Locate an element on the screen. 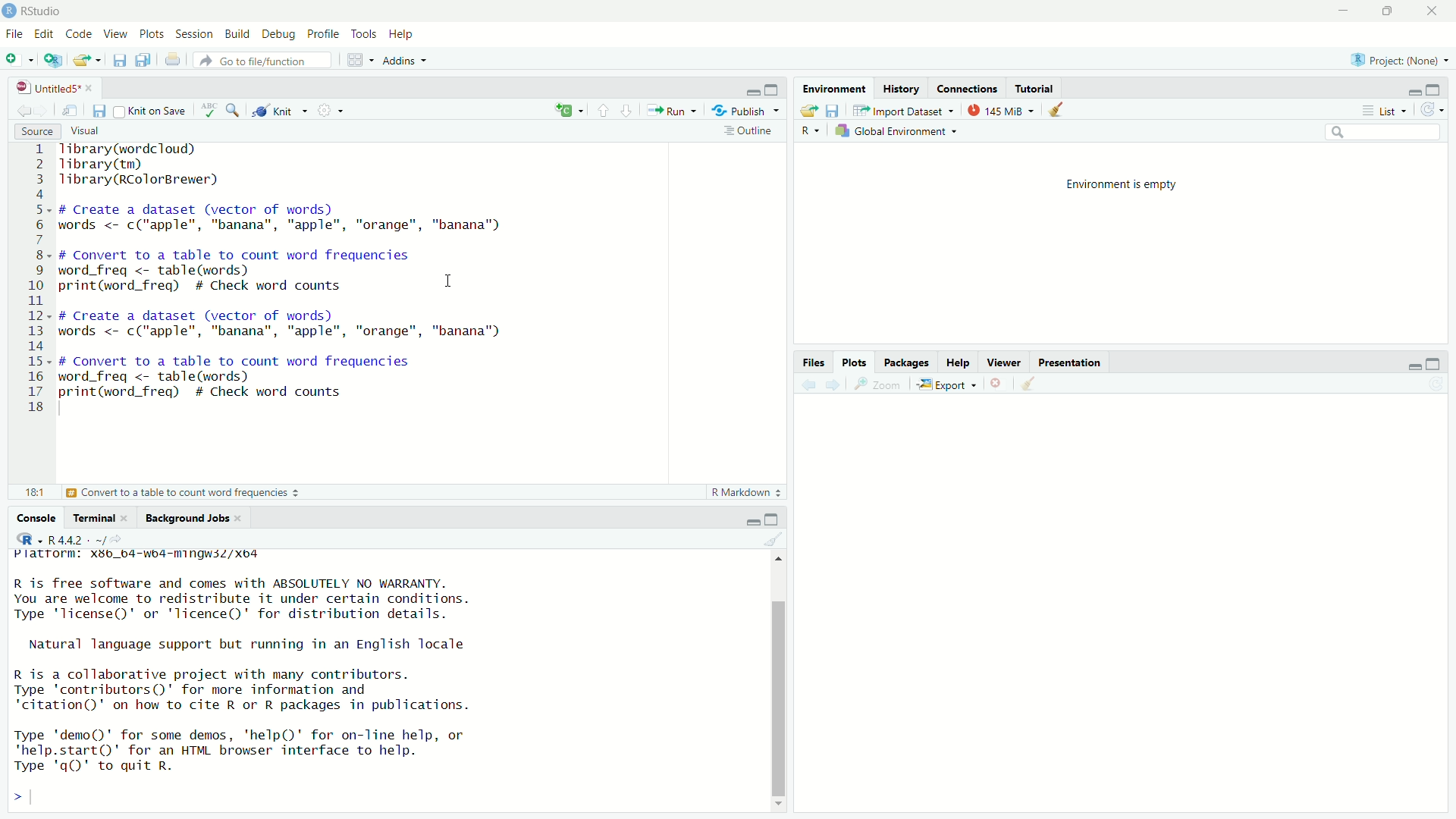  Debug is located at coordinates (278, 36).